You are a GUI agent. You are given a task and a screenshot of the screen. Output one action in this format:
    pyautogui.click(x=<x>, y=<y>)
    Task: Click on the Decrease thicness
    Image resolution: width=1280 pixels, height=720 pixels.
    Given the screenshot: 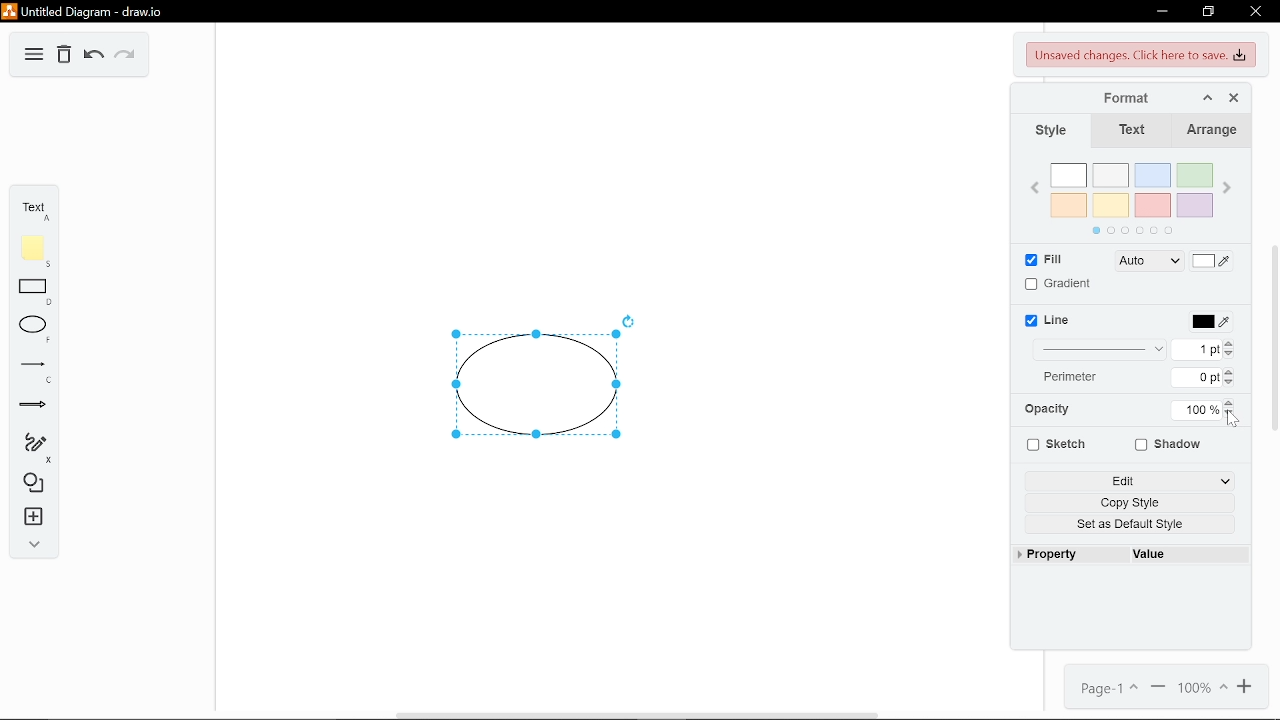 What is the action you would take?
    pyautogui.click(x=1230, y=354)
    